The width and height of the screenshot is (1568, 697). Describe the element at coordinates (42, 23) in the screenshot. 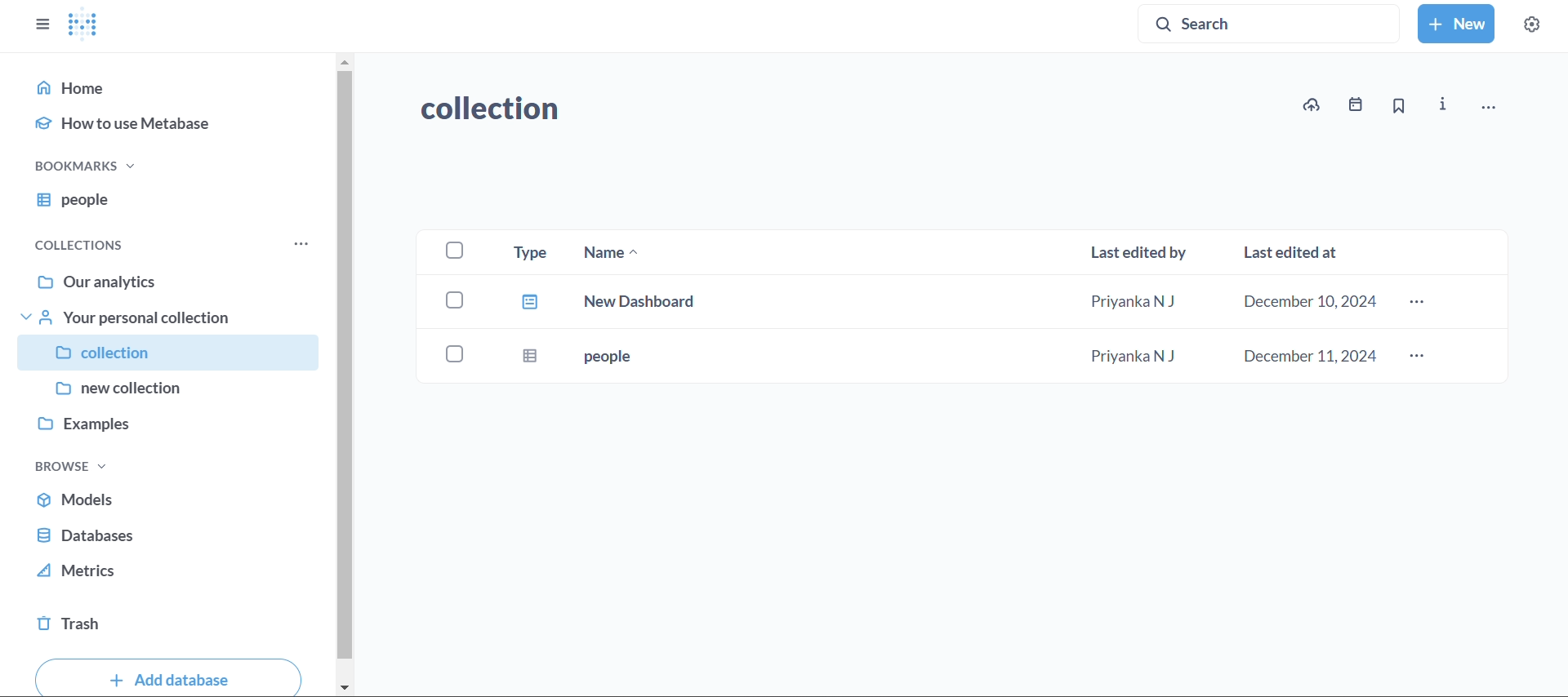

I see `close sidebars` at that location.